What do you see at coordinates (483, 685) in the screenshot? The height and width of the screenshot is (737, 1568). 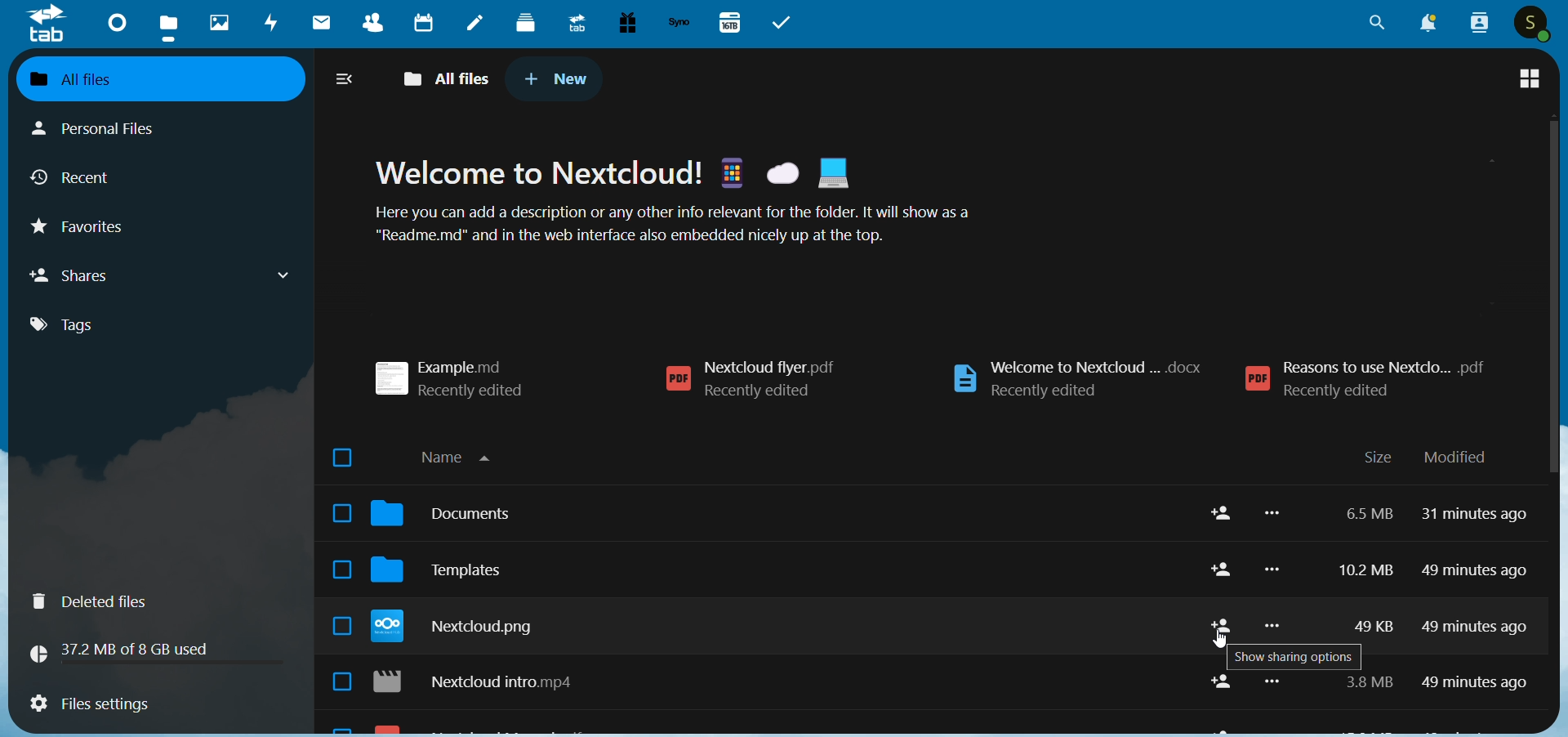 I see `nextcloud intro ` at bounding box center [483, 685].